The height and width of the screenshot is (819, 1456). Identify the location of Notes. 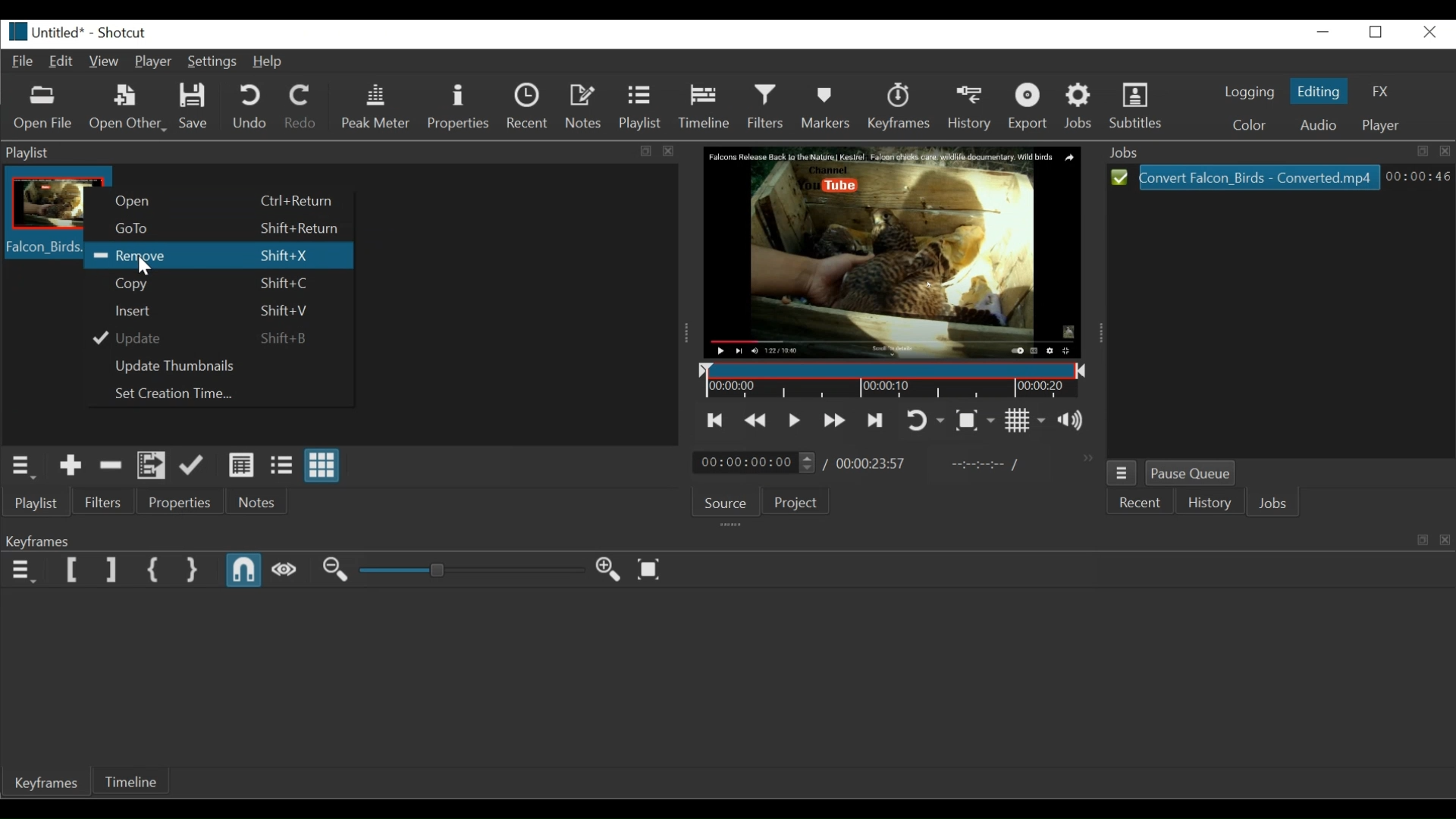
(256, 503).